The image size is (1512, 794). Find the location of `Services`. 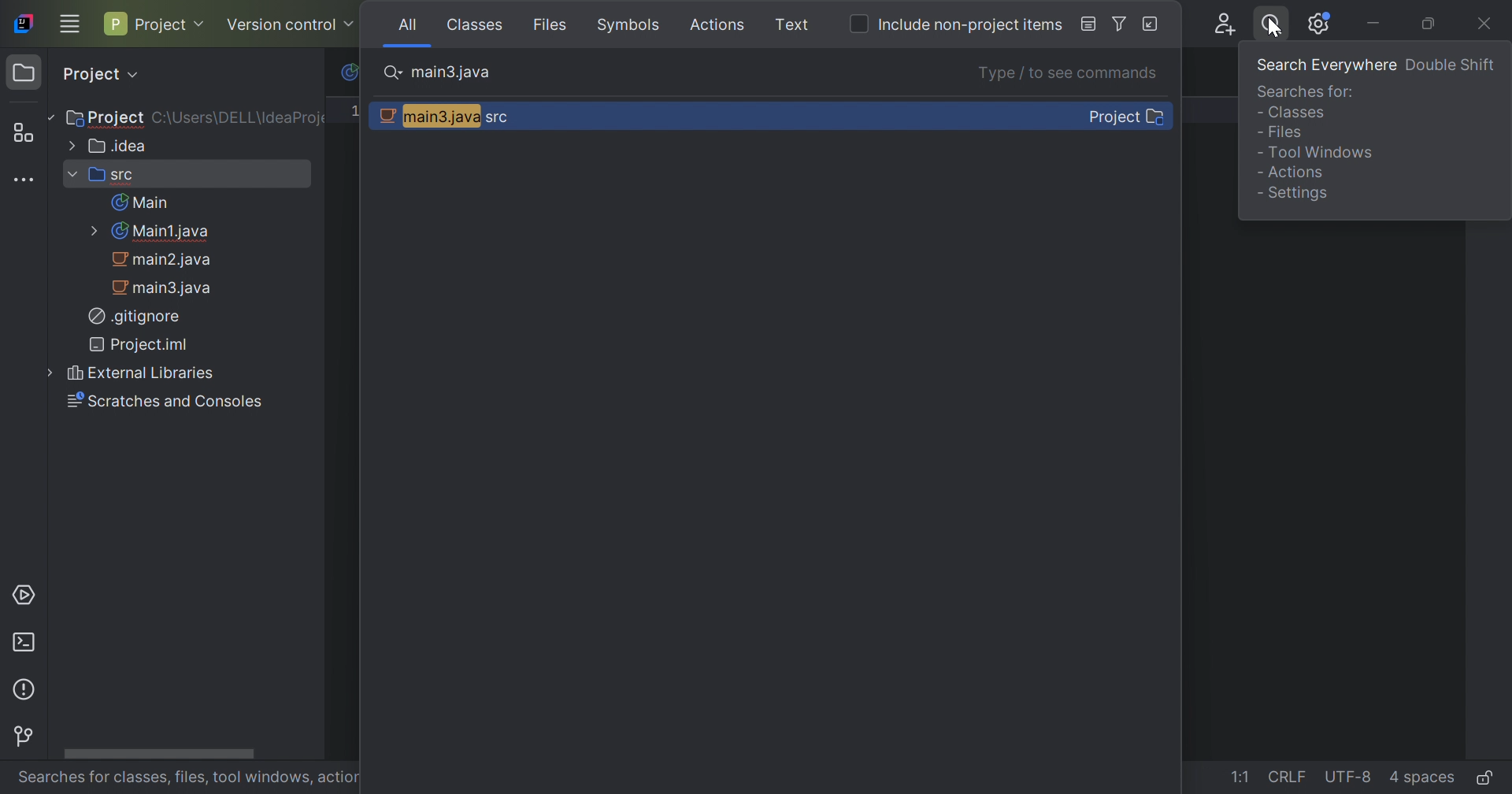

Services is located at coordinates (24, 597).